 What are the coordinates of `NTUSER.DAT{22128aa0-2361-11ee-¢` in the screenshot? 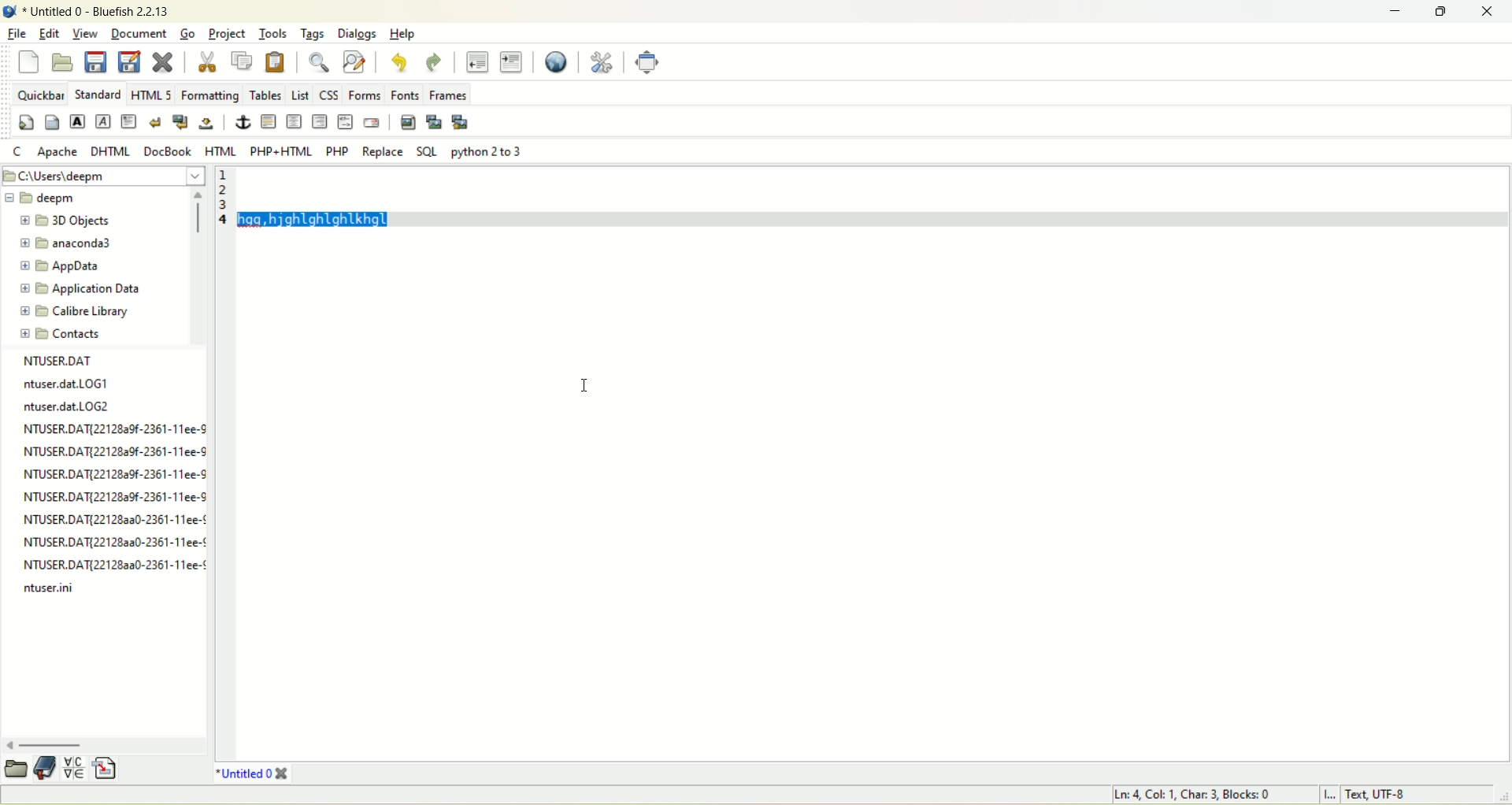 It's located at (115, 518).